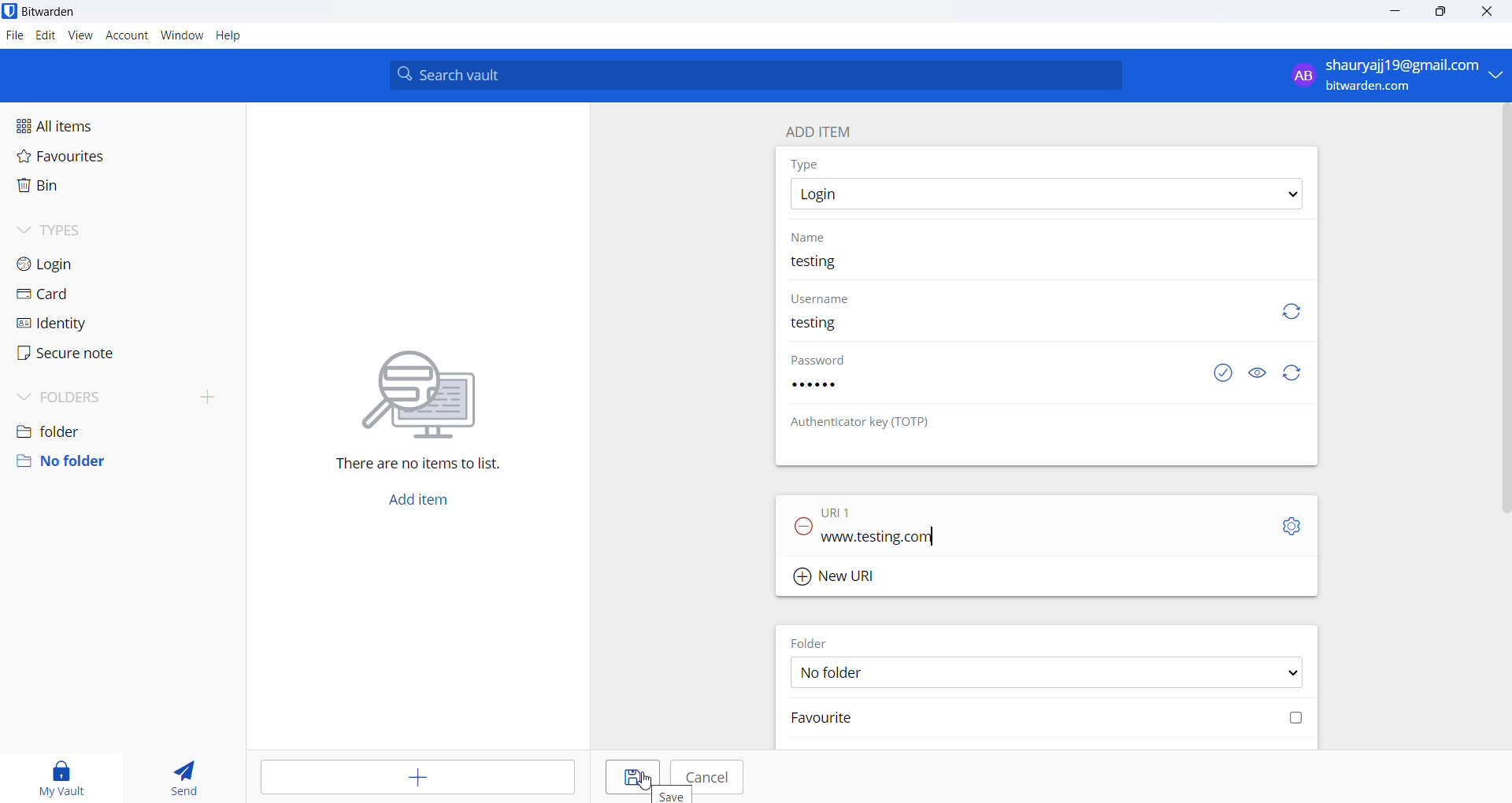 Image resolution: width=1512 pixels, height=803 pixels. Describe the element at coordinates (82, 191) in the screenshot. I see `bin` at that location.